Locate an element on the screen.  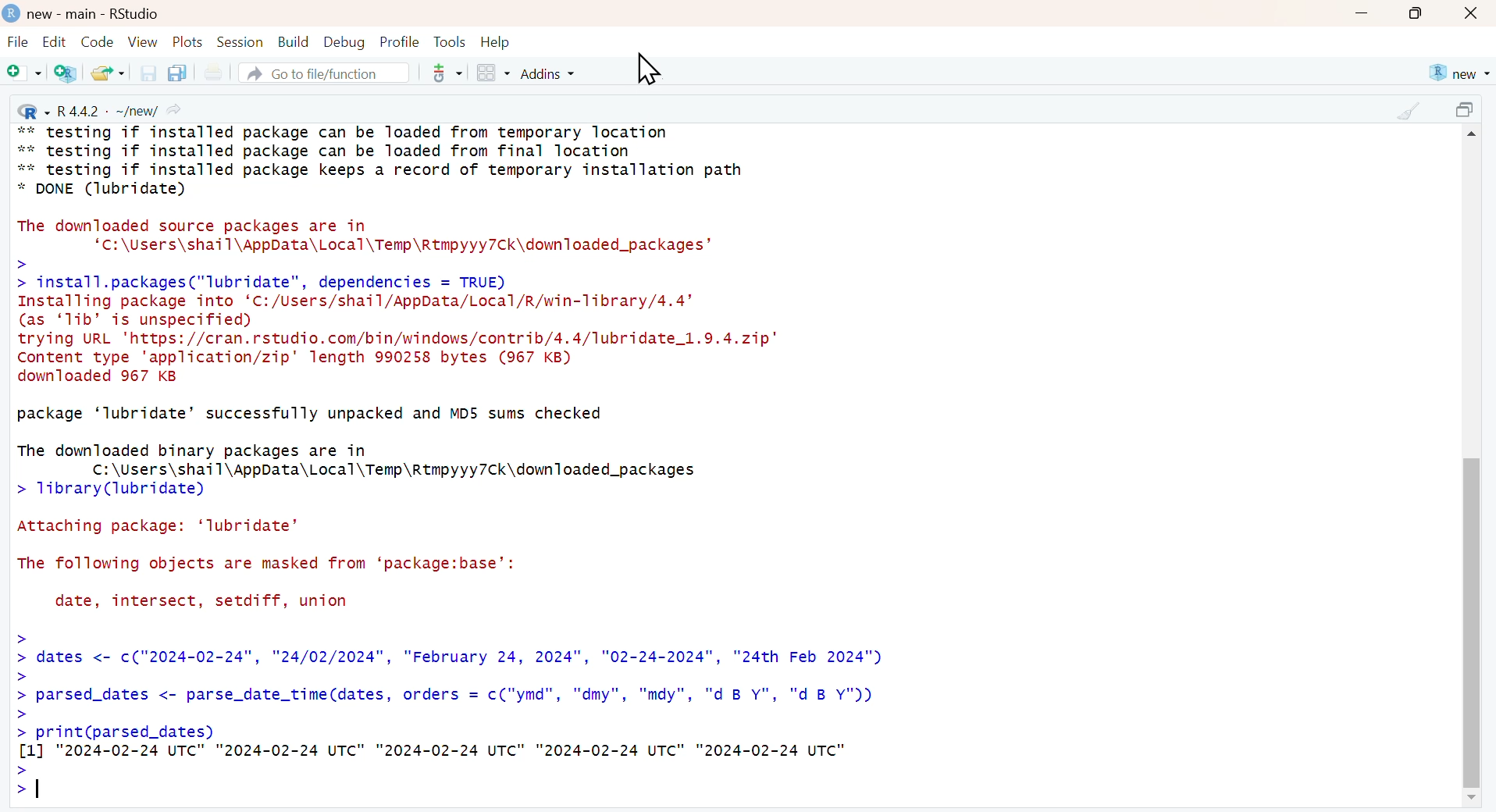
save the current document is located at coordinates (146, 73).